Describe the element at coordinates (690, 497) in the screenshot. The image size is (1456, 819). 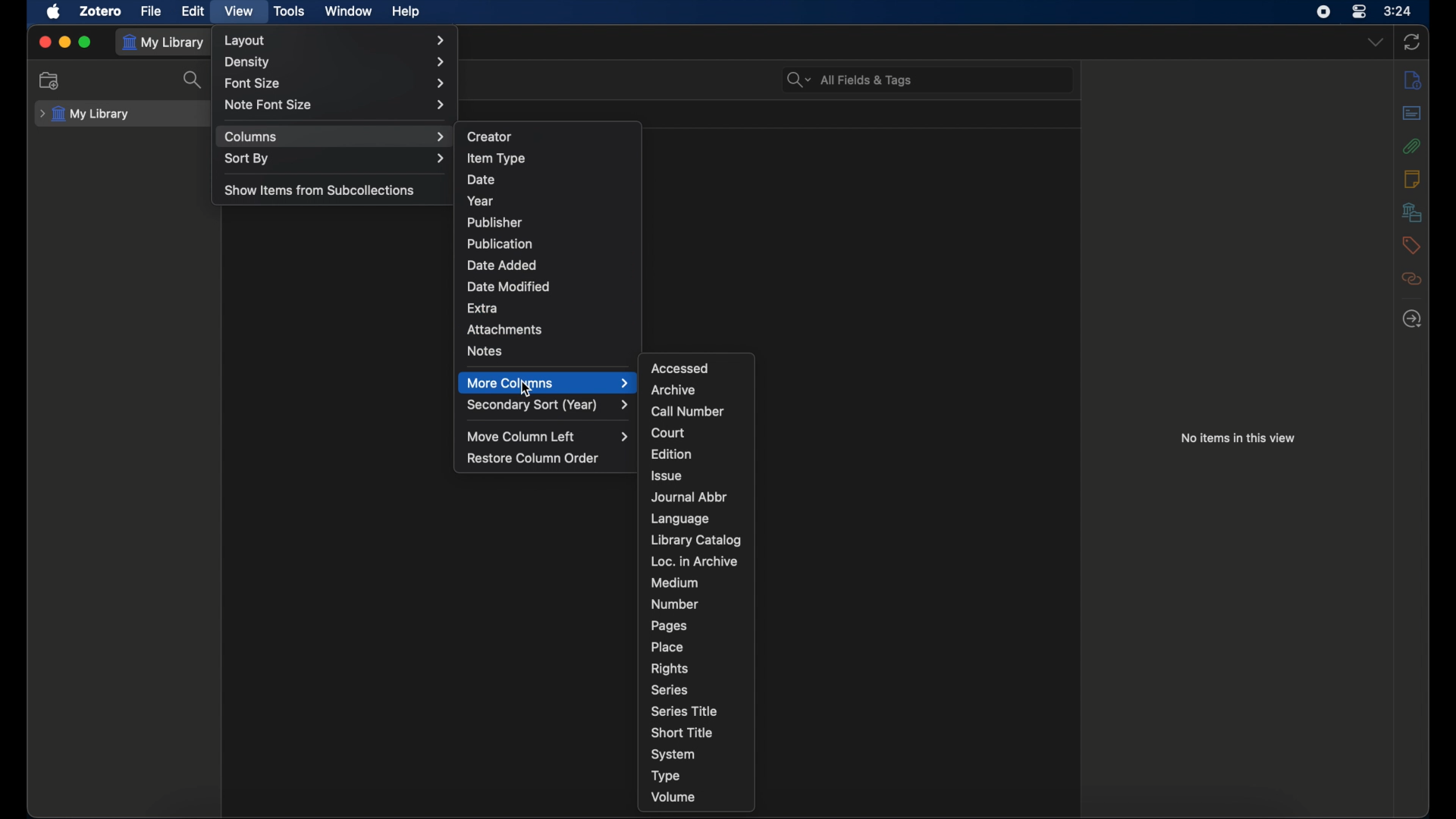
I see `journal abbr` at that location.